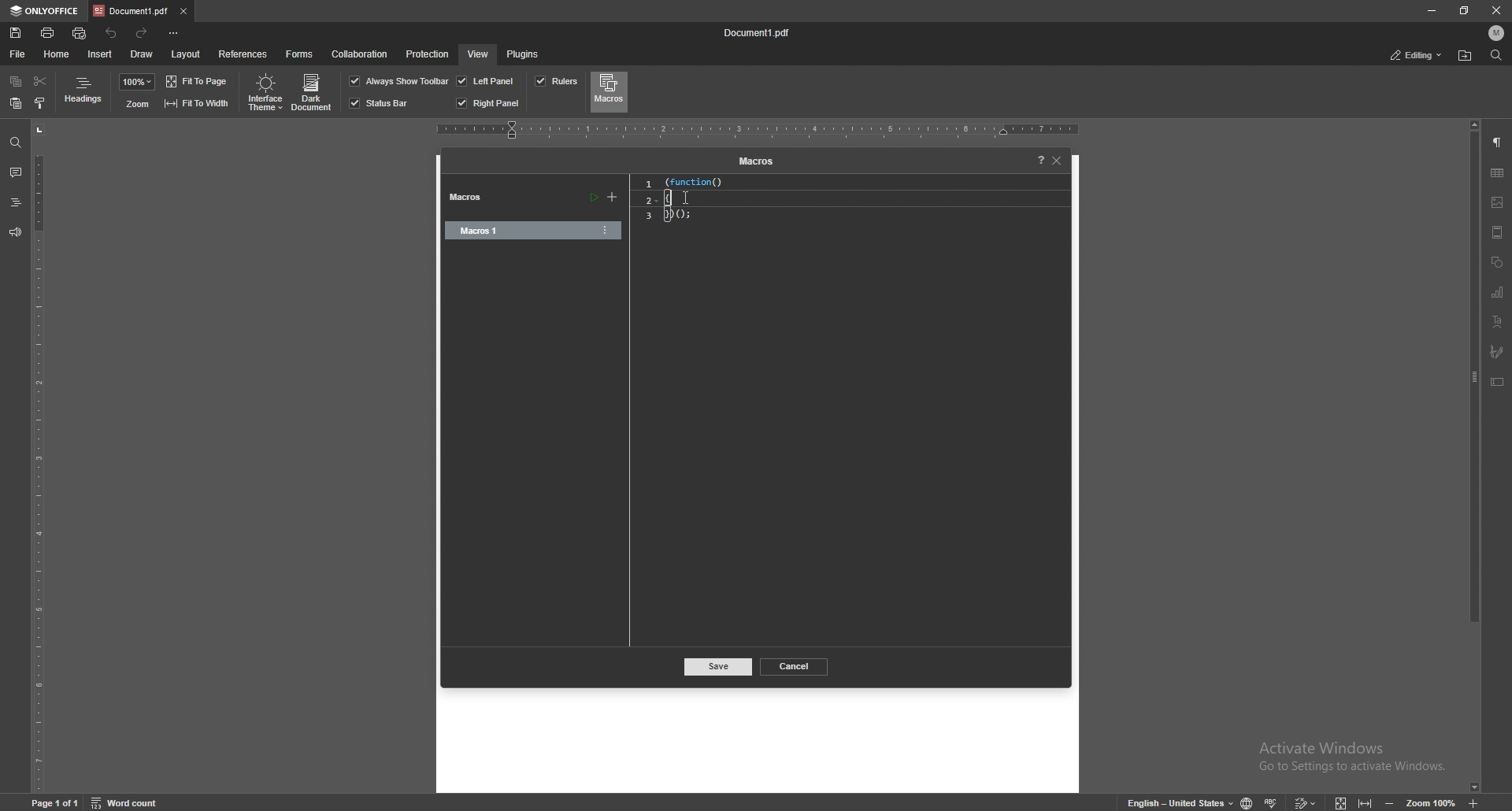 This screenshot has height=811, width=1512. Describe the element at coordinates (112, 33) in the screenshot. I see `undo` at that location.